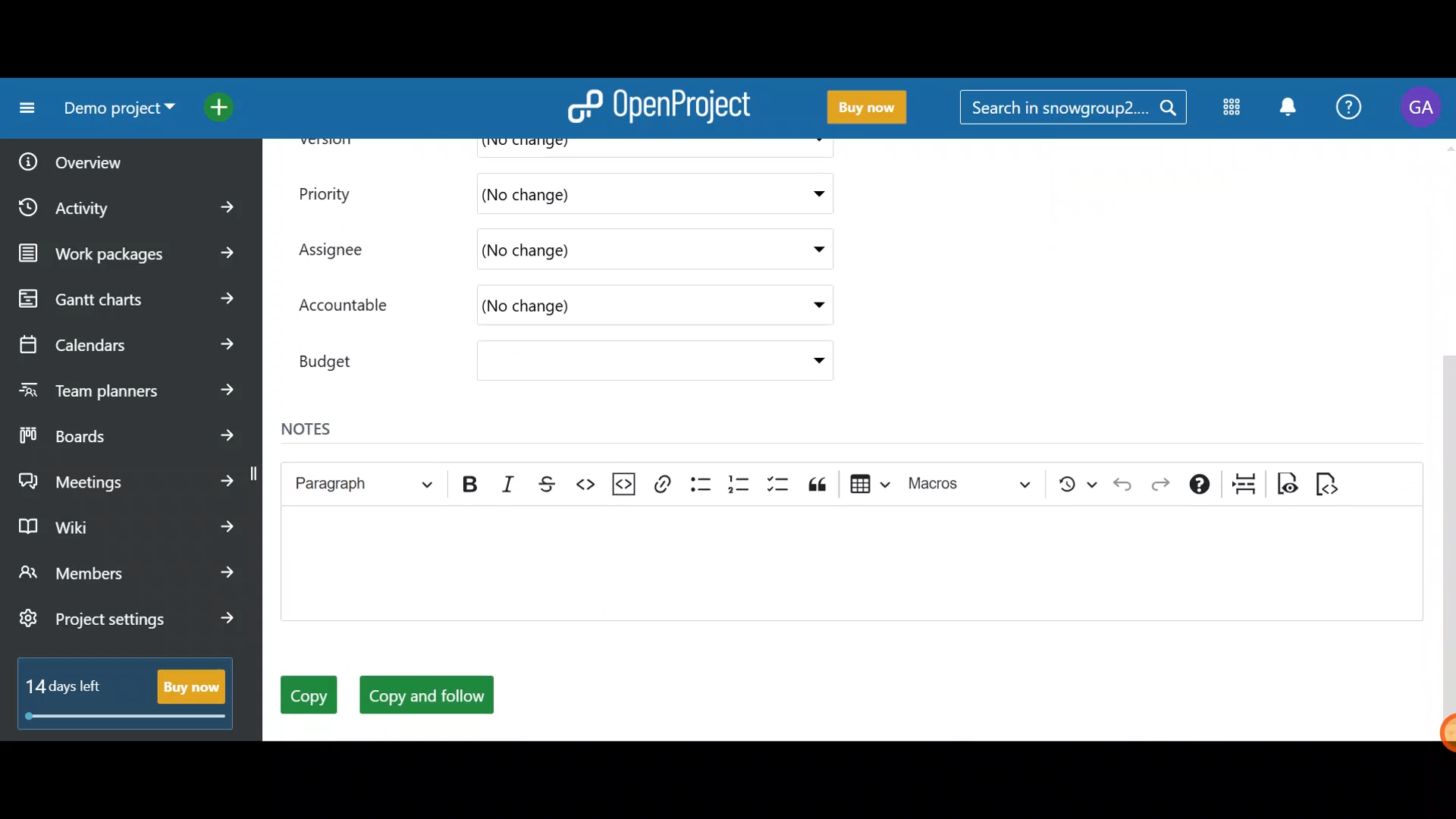 This screenshot has width=1456, height=819. Describe the element at coordinates (223, 104) in the screenshot. I see `Open quick add menu` at that location.